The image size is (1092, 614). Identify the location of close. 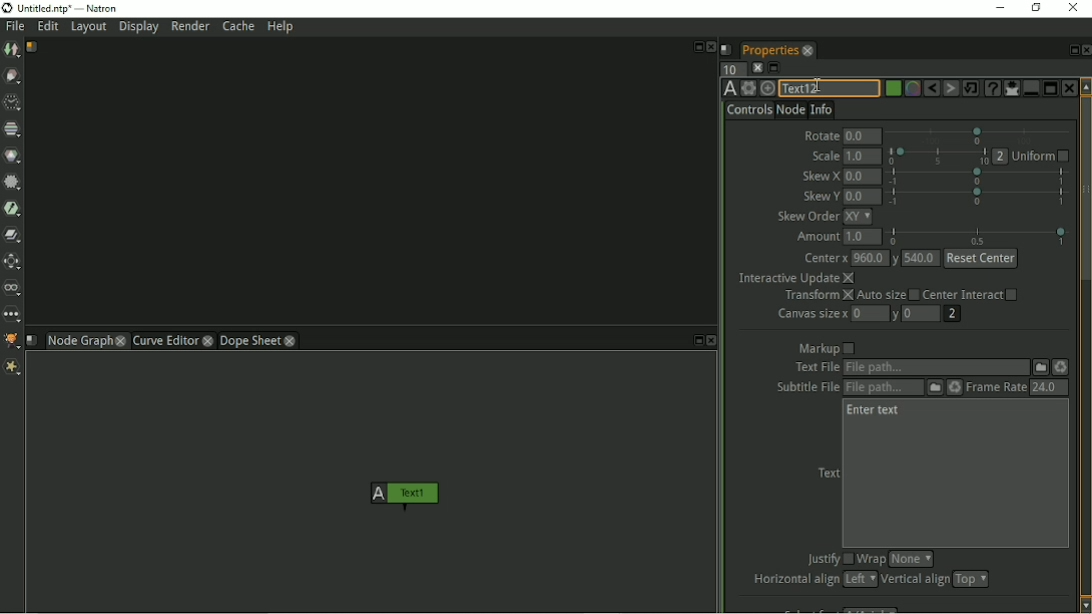
(808, 50).